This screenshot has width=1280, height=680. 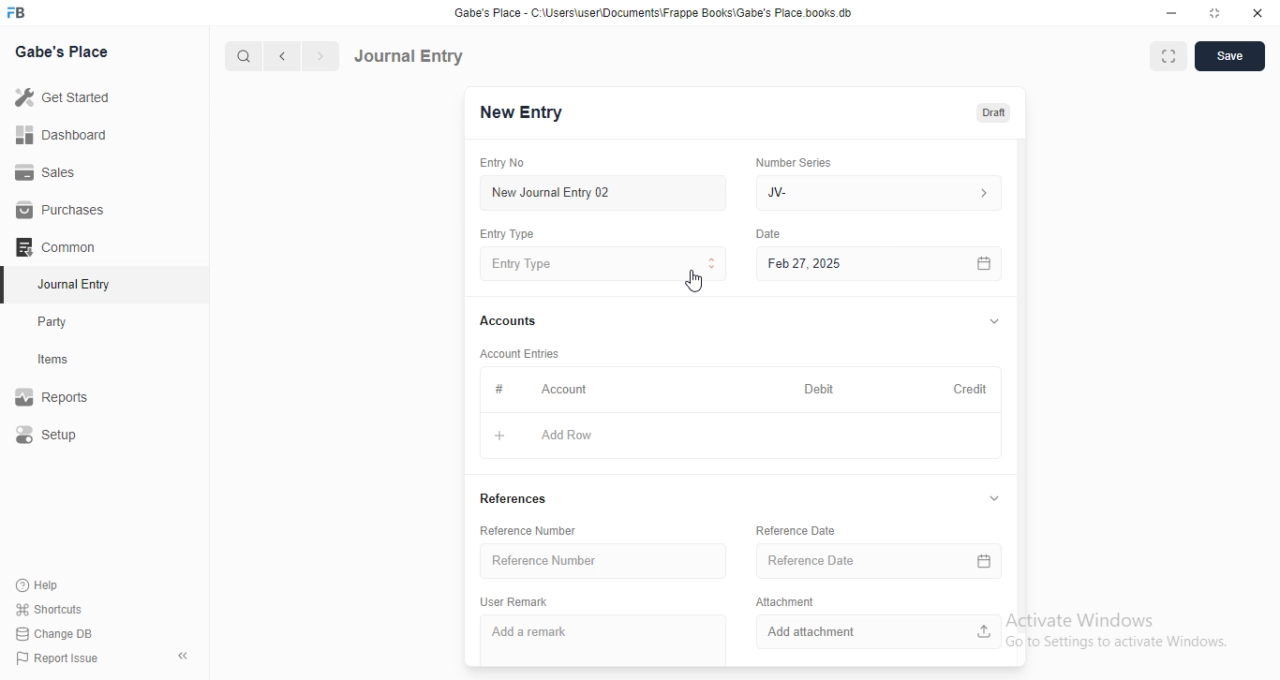 What do you see at coordinates (877, 192) in the screenshot?
I see `IV-` at bounding box center [877, 192].